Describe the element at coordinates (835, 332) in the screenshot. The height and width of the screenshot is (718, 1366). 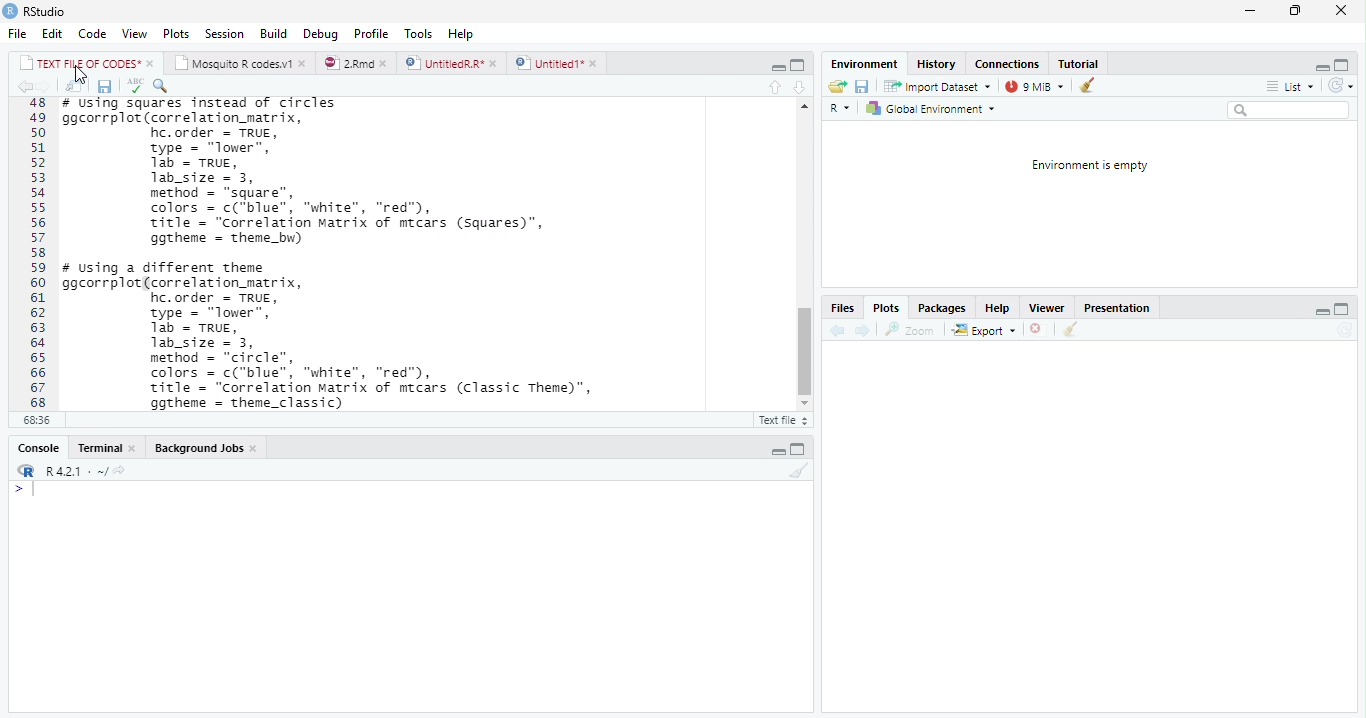
I see `go back` at that location.